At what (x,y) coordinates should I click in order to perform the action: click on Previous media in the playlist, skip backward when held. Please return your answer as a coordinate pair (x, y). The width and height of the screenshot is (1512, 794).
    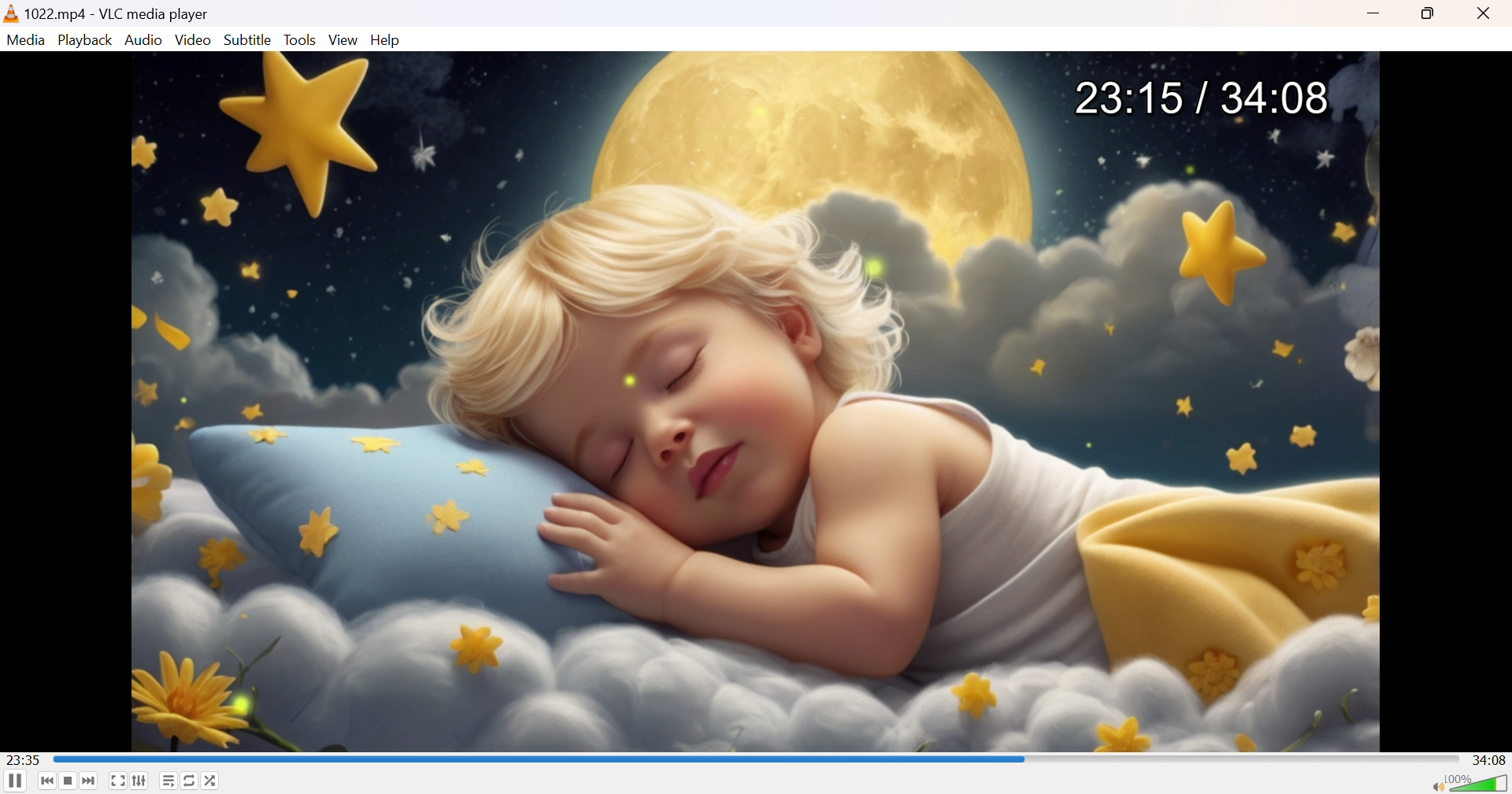
    Looking at the image, I should click on (48, 782).